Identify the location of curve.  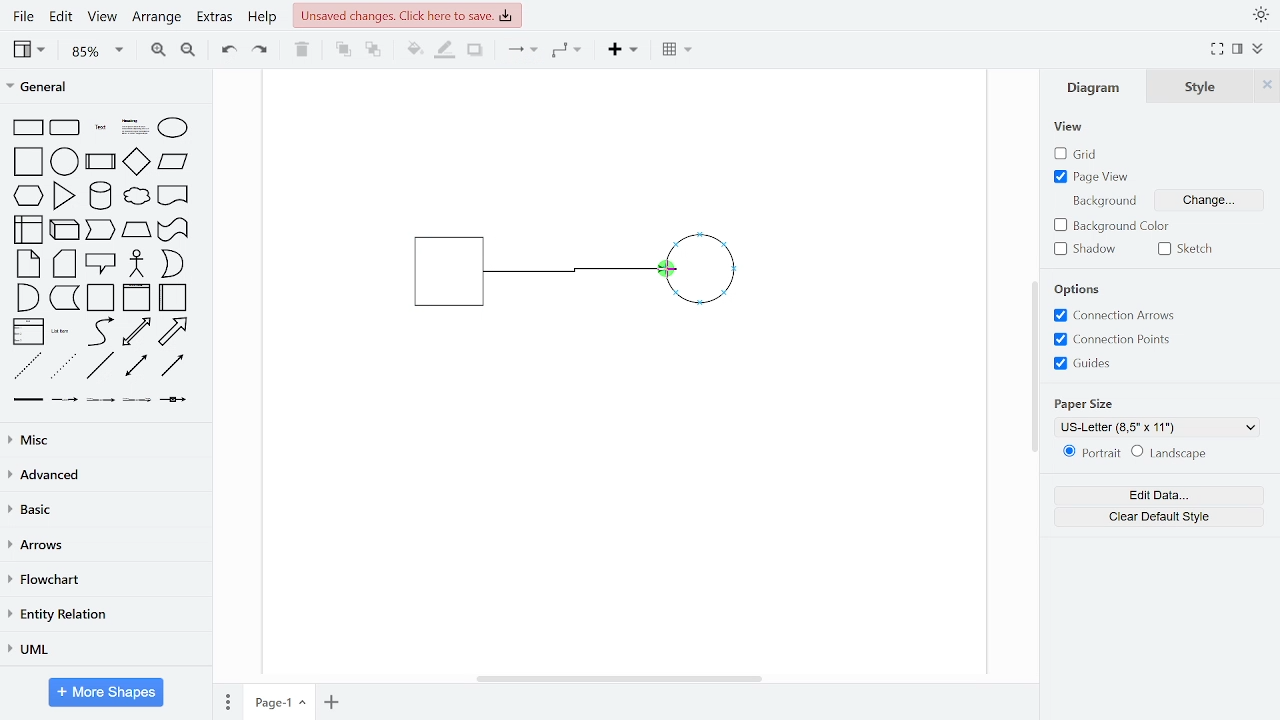
(101, 331).